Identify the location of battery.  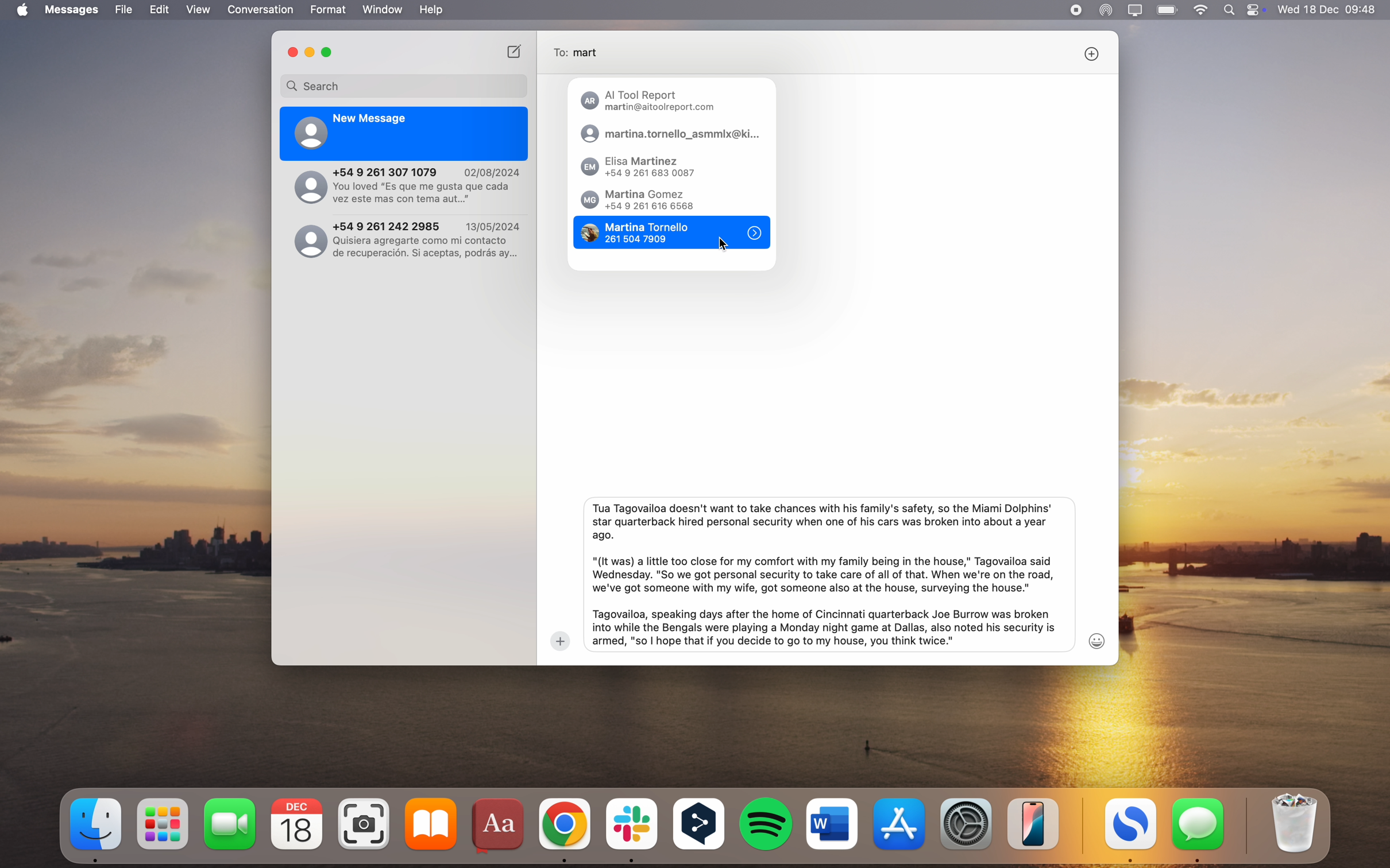
(1168, 9).